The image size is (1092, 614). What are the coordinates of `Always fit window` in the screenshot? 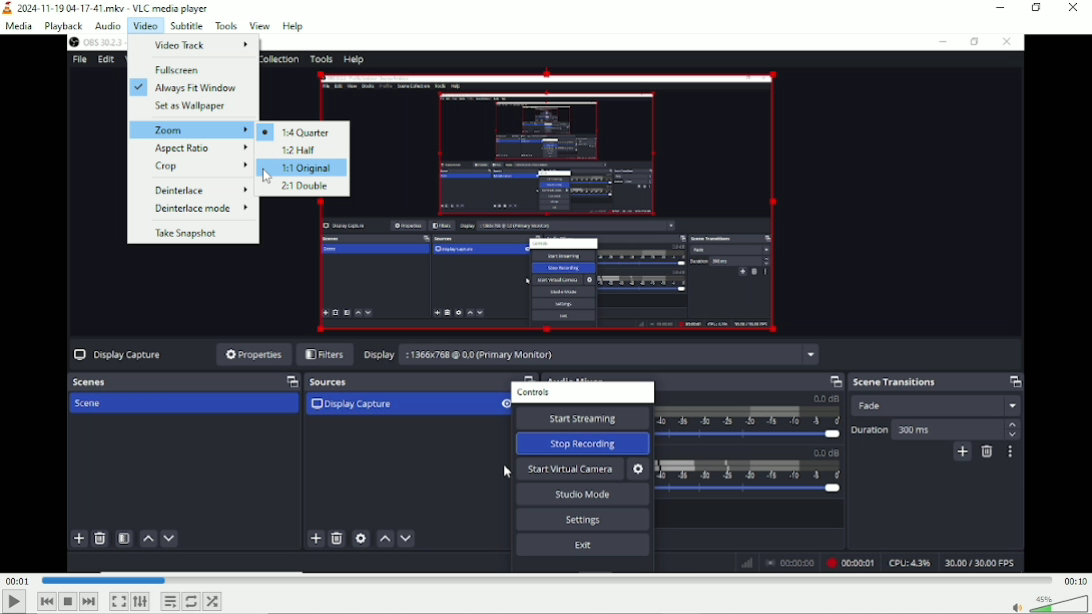 It's located at (186, 86).